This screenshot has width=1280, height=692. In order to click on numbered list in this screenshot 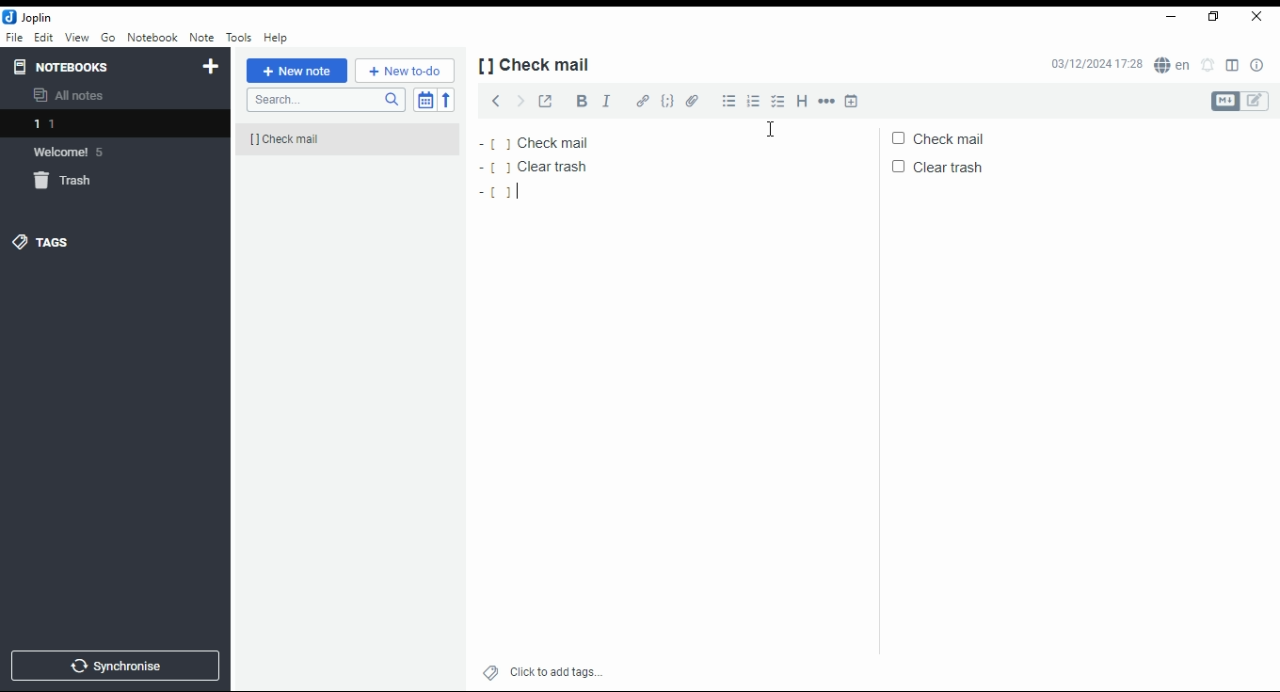, I will do `click(752, 102)`.